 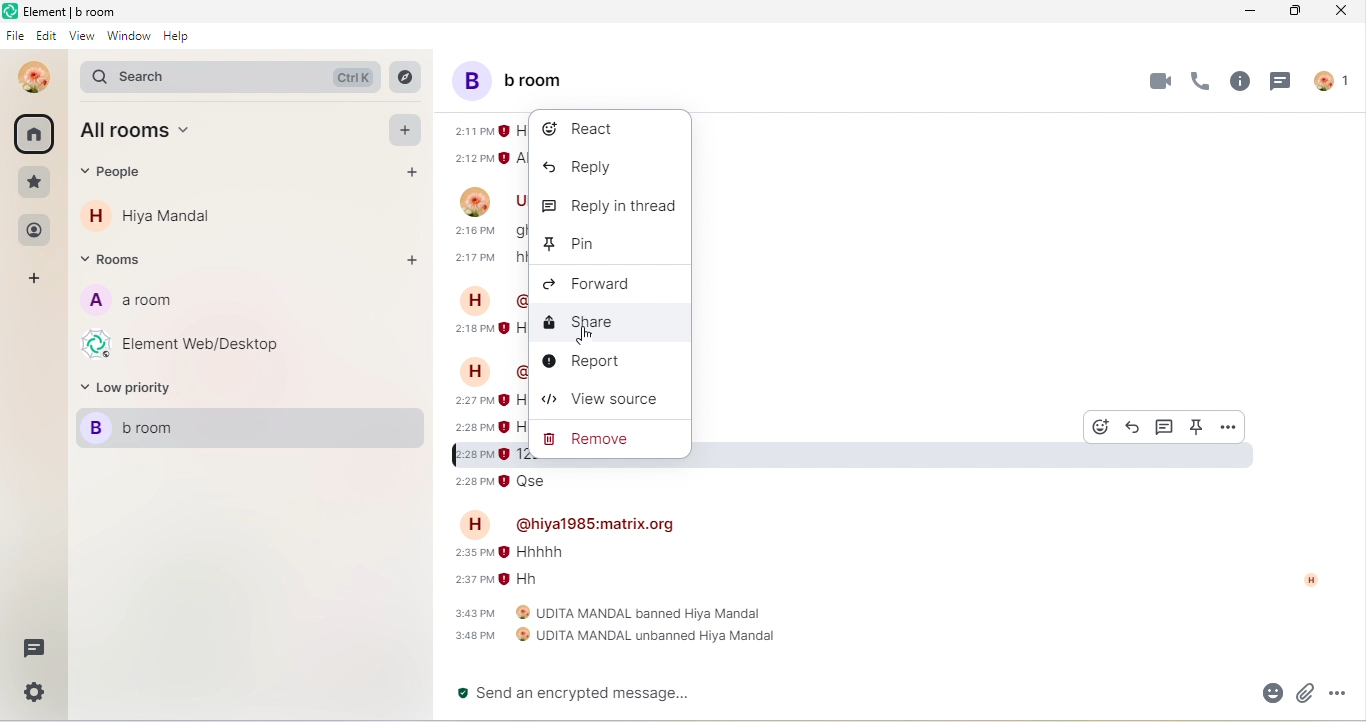 I want to click on thread, so click(x=33, y=649).